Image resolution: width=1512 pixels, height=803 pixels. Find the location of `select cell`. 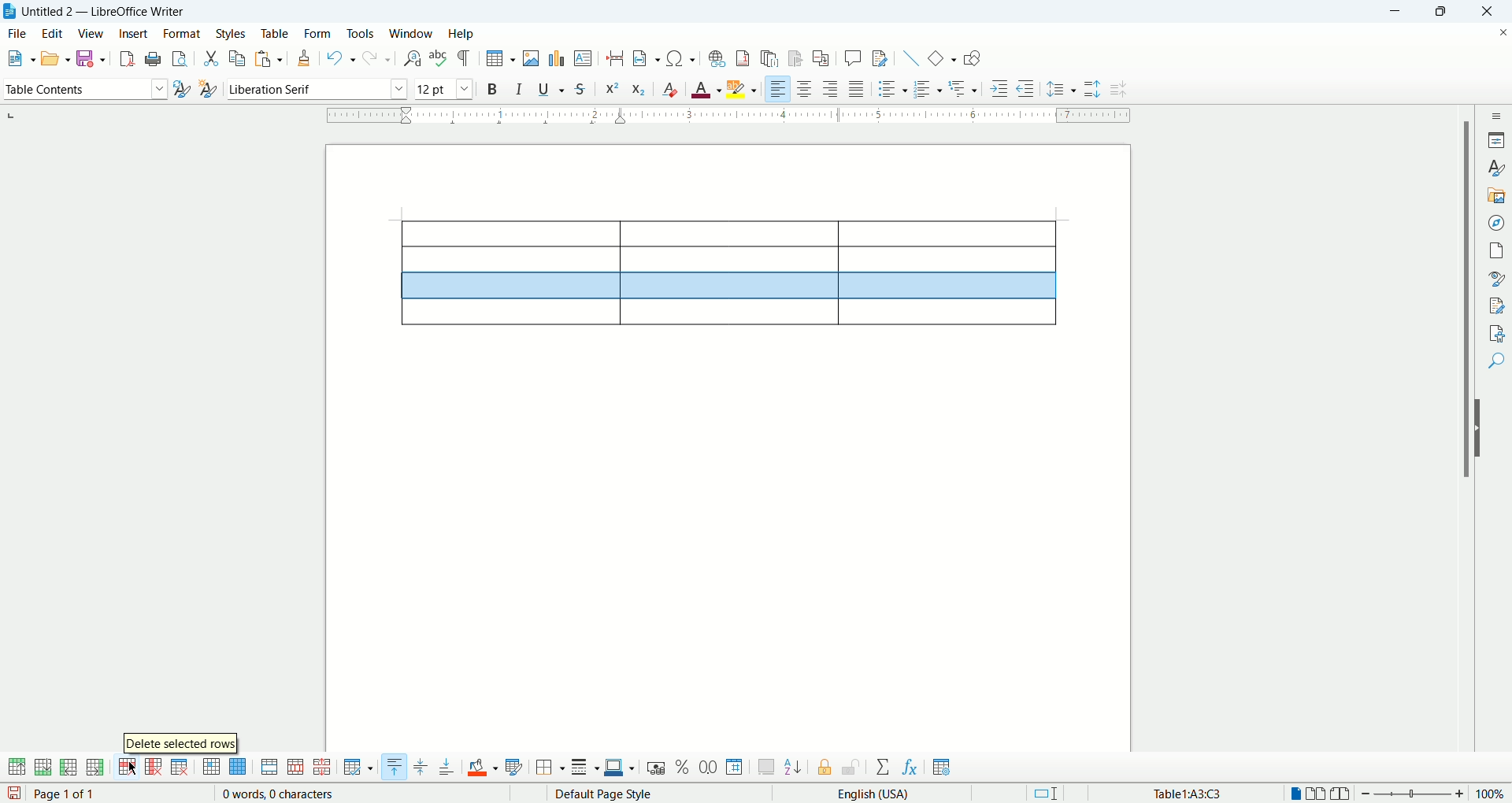

select cell is located at coordinates (210, 766).